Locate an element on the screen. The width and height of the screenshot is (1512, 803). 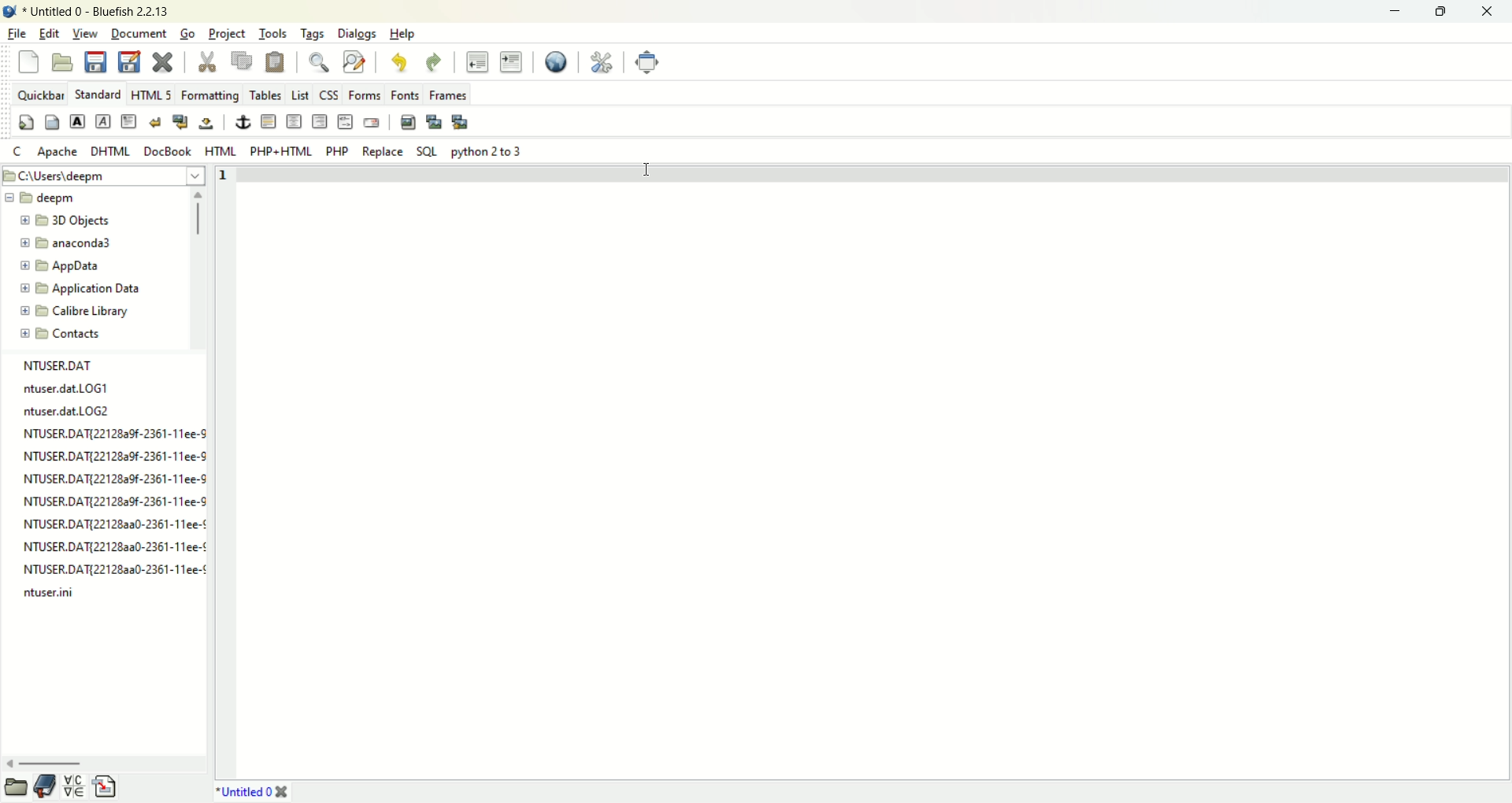
non breaking space is located at coordinates (205, 123).